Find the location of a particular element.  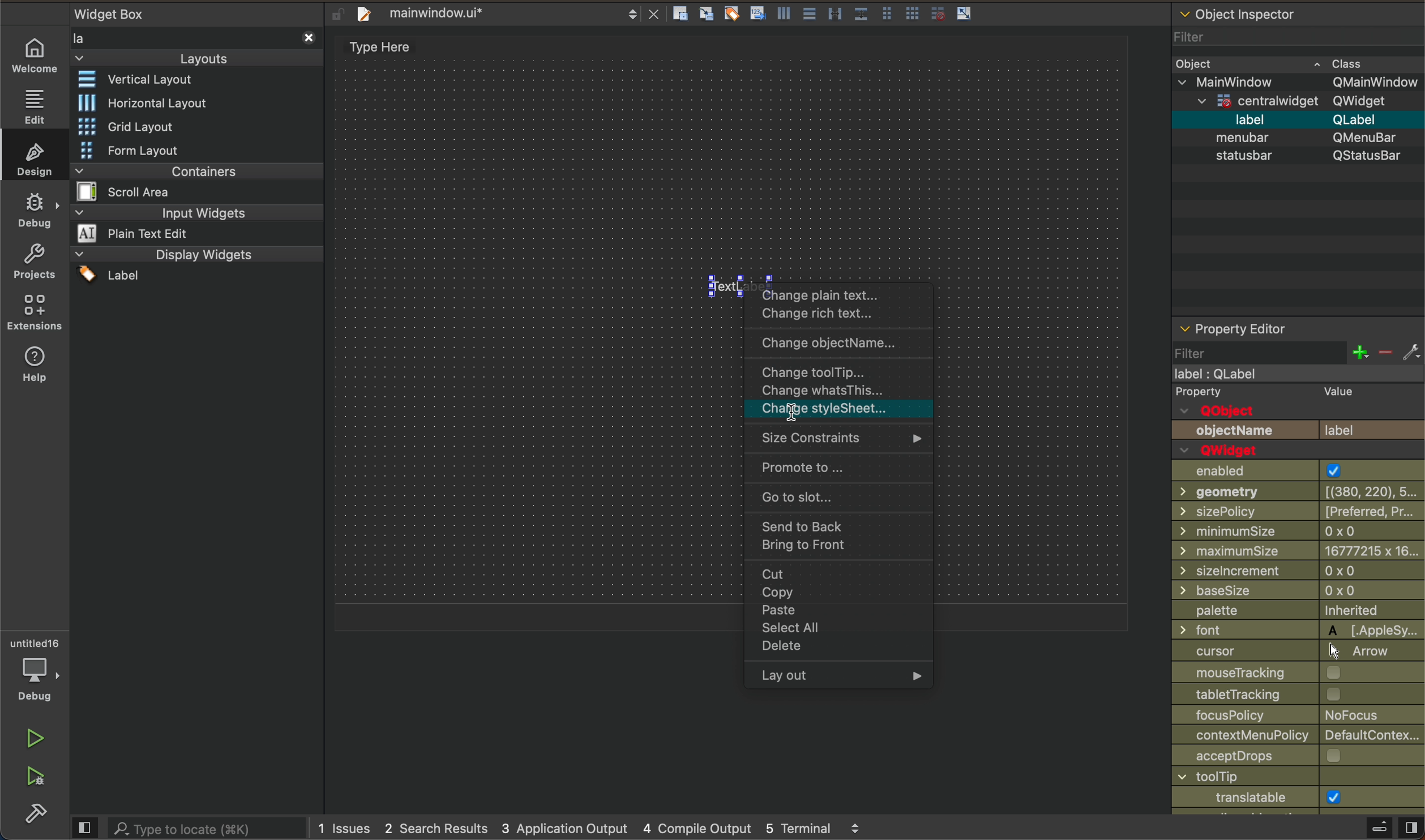

close sidebar is located at coordinates (1360, 829).